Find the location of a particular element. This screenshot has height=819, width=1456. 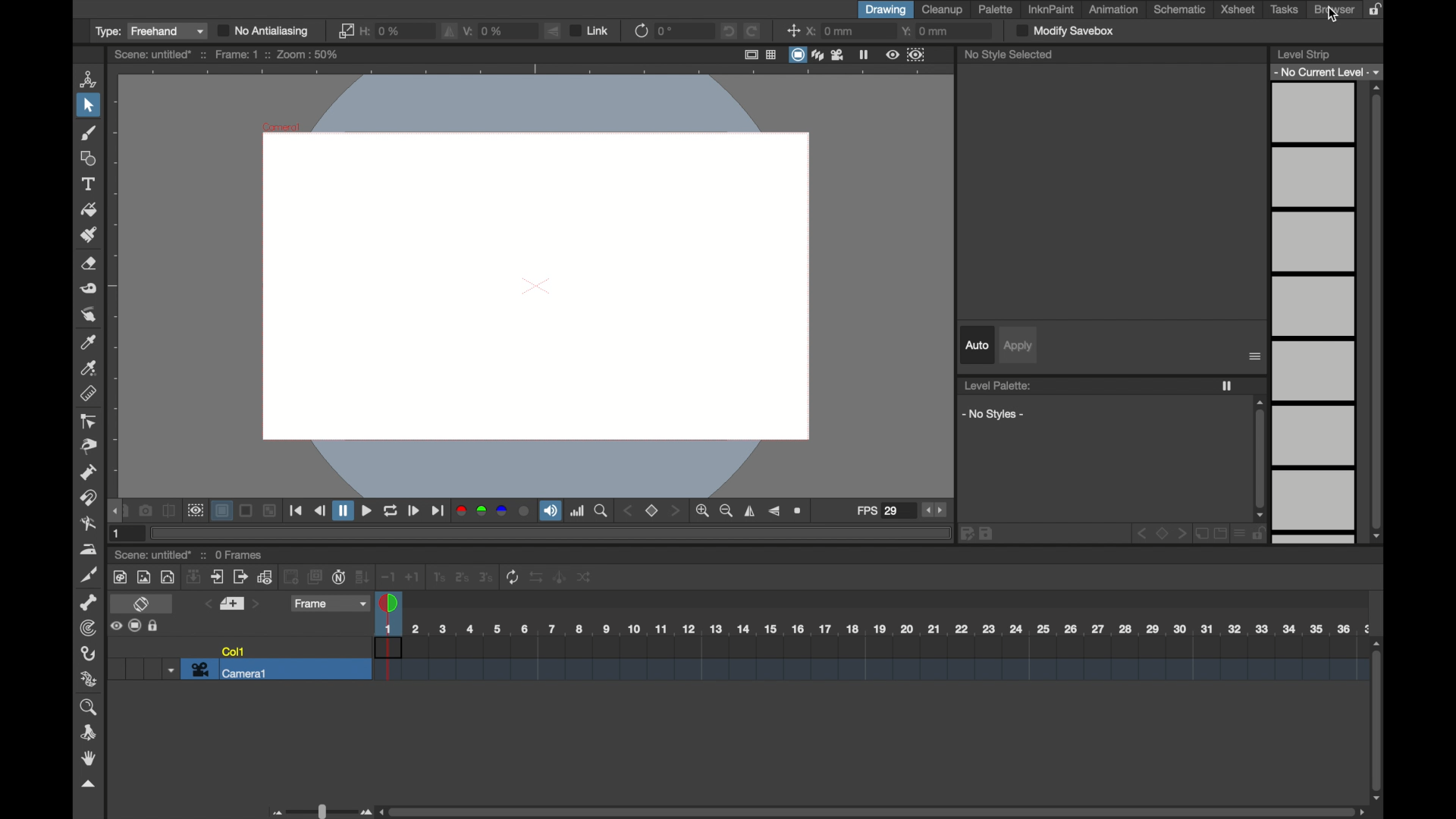

screens is located at coordinates (313, 576).